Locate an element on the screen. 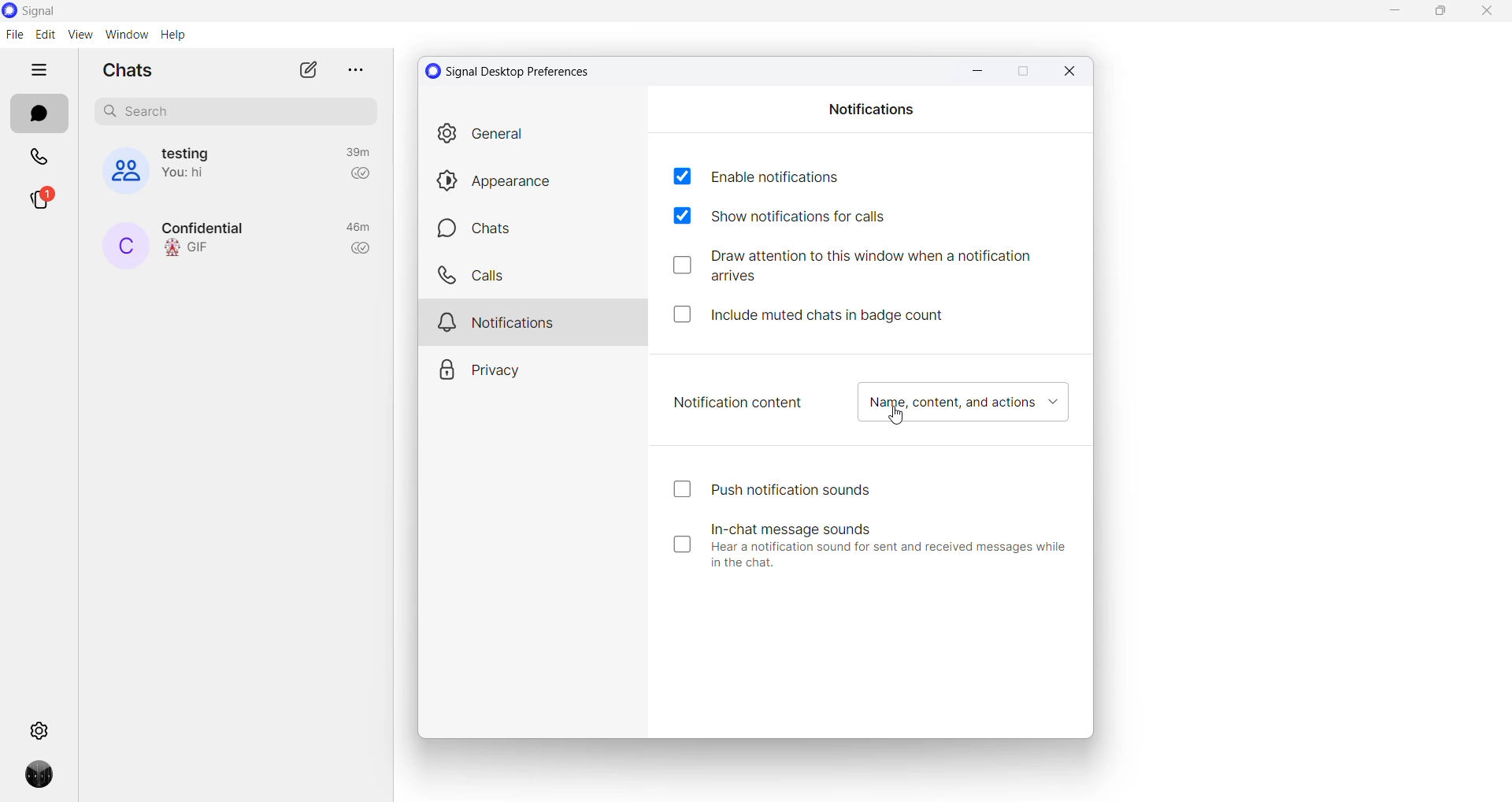 The height and width of the screenshot is (802, 1512). edit is located at coordinates (44, 35).